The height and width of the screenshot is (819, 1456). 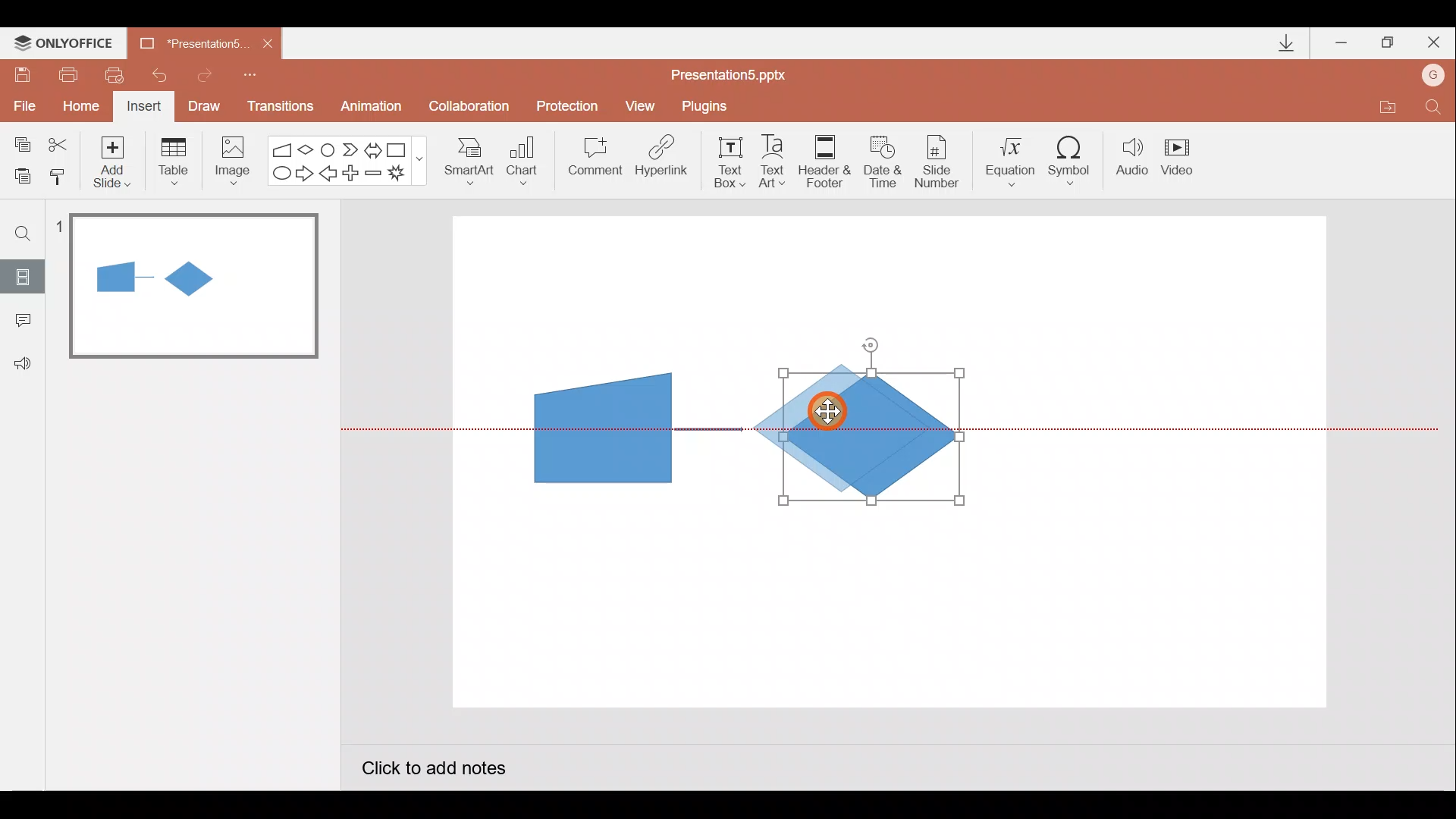 I want to click on Insert, so click(x=142, y=108).